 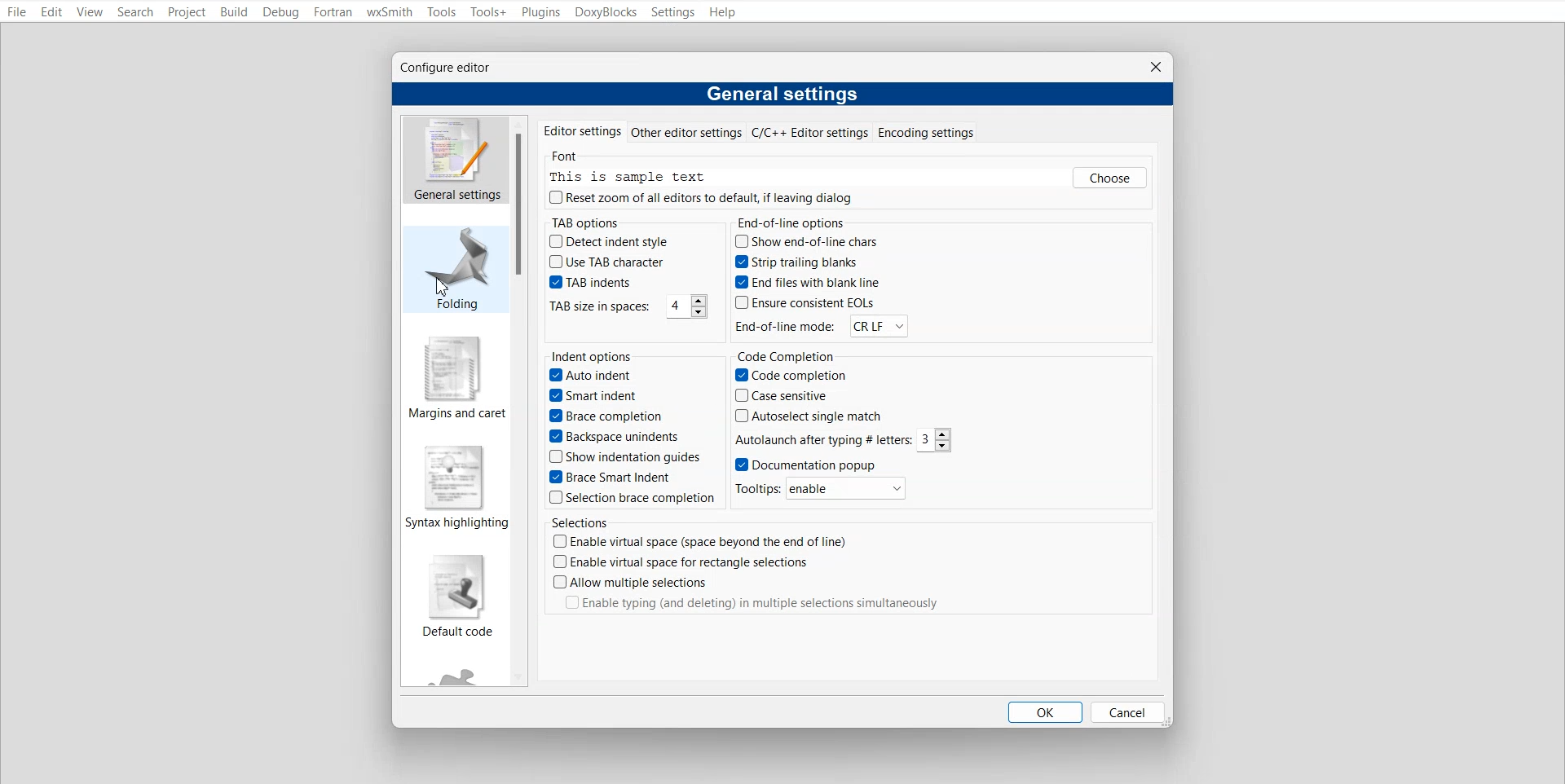 What do you see at coordinates (590, 377) in the screenshot?
I see `Auto indent` at bounding box center [590, 377].